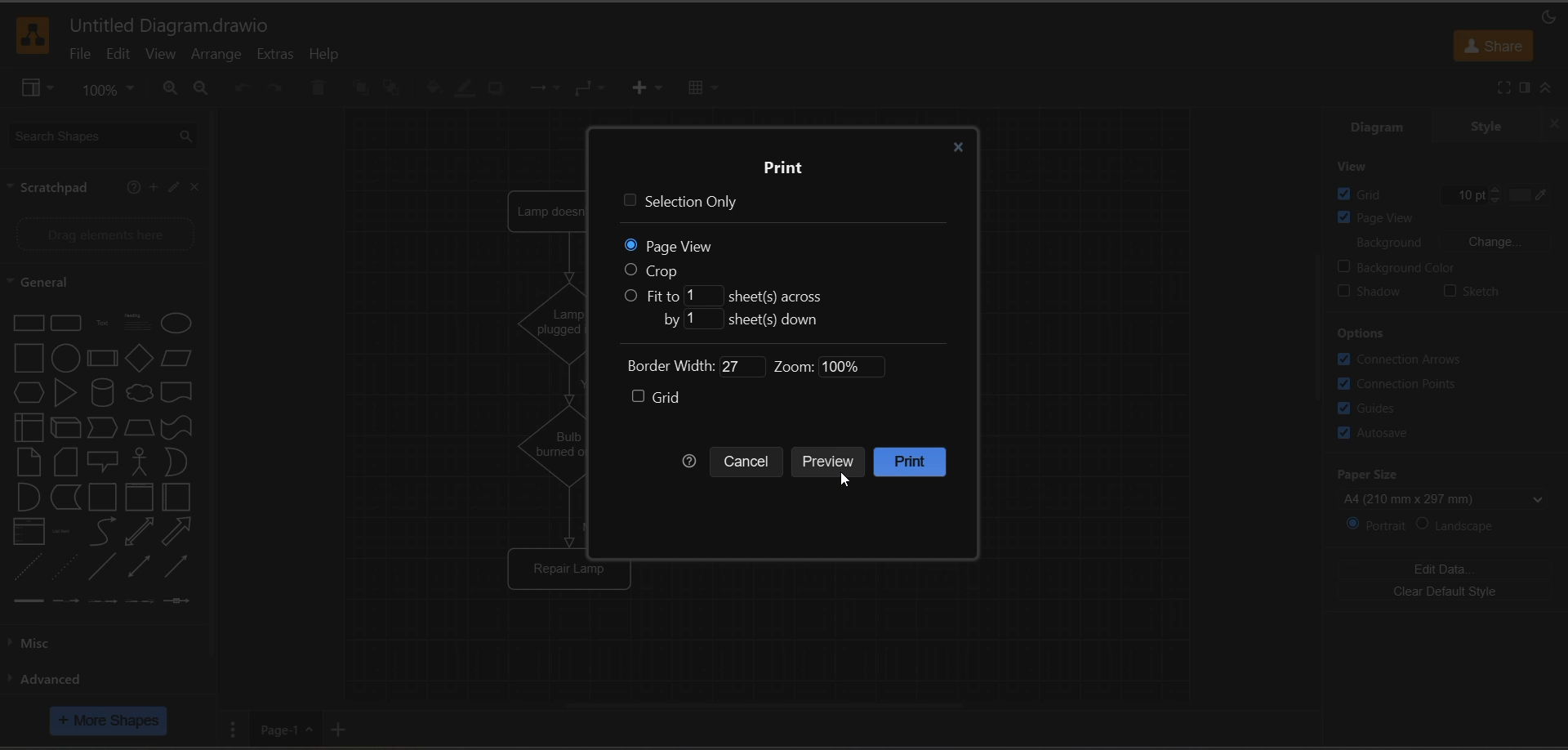 This screenshot has width=1568, height=750. Describe the element at coordinates (1448, 565) in the screenshot. I see `edit data` at that location.